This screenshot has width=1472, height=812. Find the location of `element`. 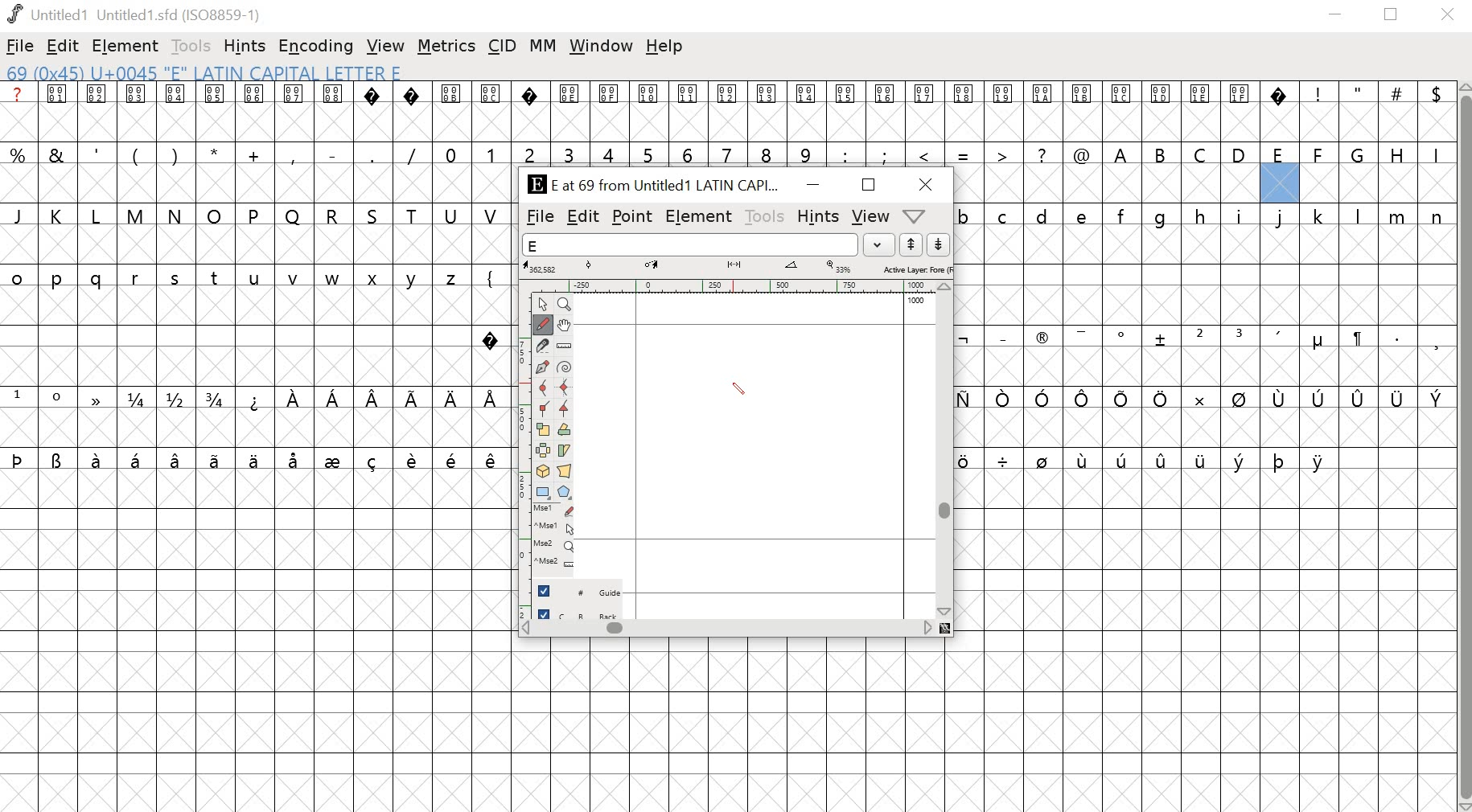

element is located at coordinates (122, 45).